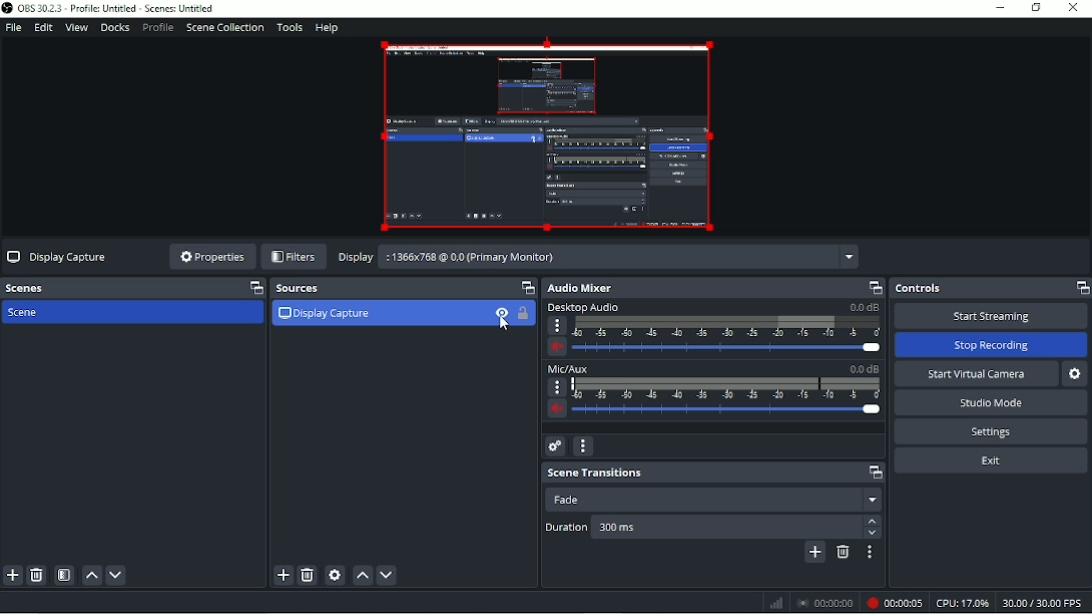 The width and height of the screenshot is (1092, 614). I want to click on Start streaming, so click(991, 316).